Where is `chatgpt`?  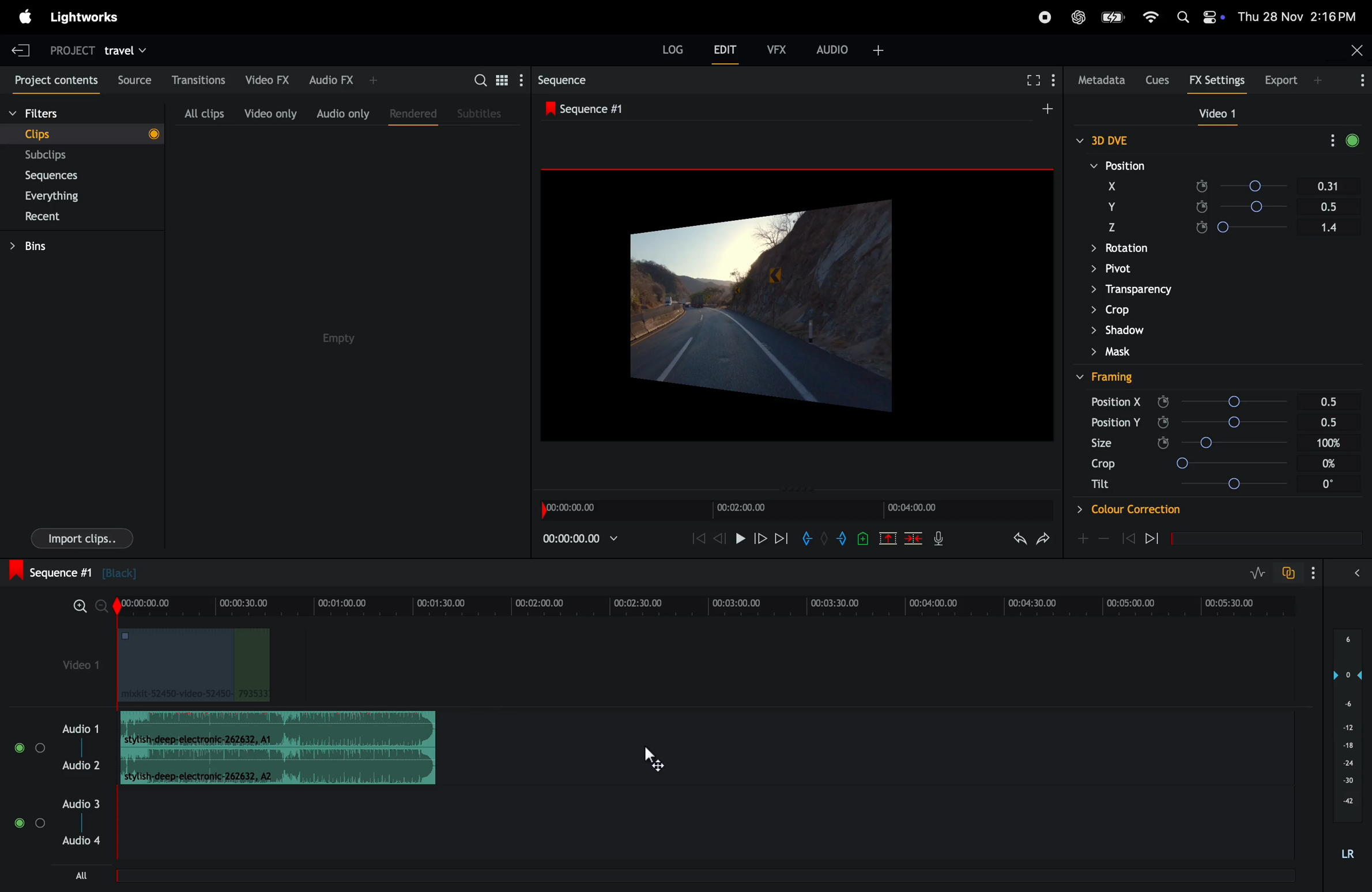 chatgpt is located at coordinates (1080, 16).